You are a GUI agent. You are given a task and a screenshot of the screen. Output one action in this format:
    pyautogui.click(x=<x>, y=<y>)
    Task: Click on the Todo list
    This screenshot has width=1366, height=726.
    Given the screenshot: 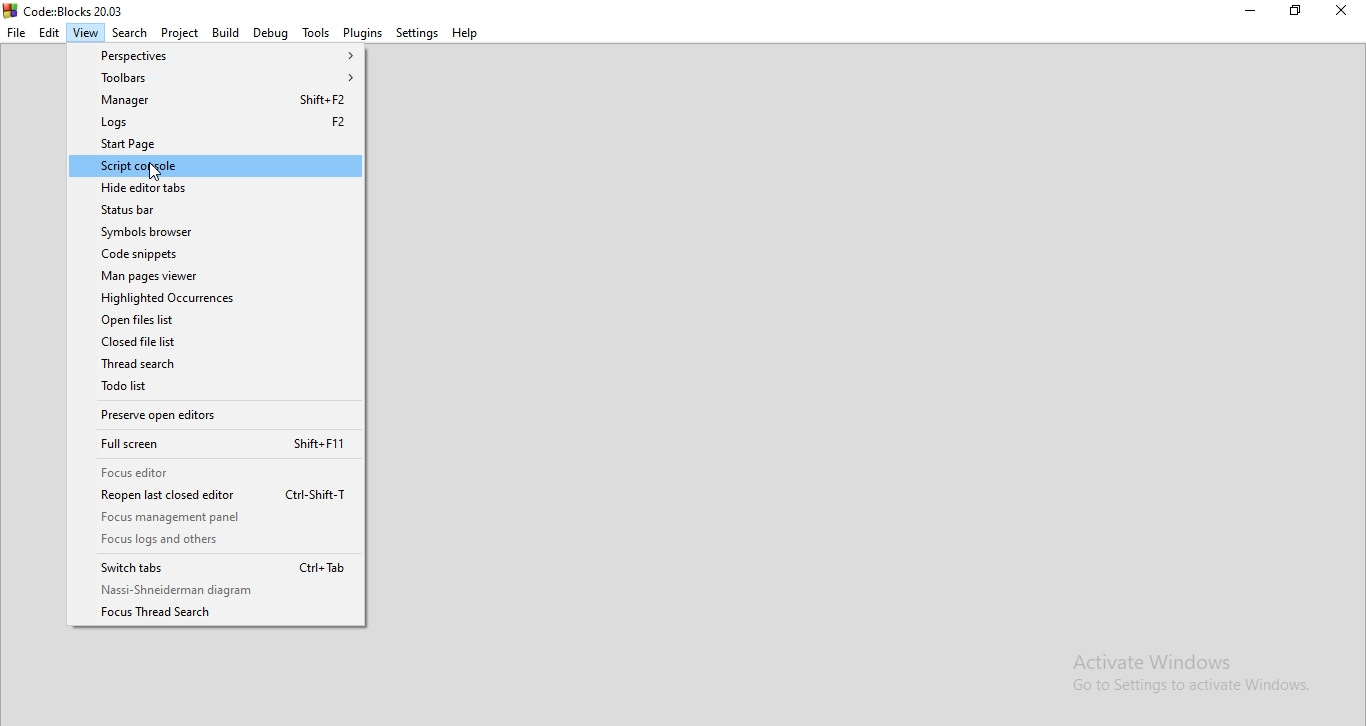 What is the action you would take?
    pyautogui.click(x=215, y=388)
    